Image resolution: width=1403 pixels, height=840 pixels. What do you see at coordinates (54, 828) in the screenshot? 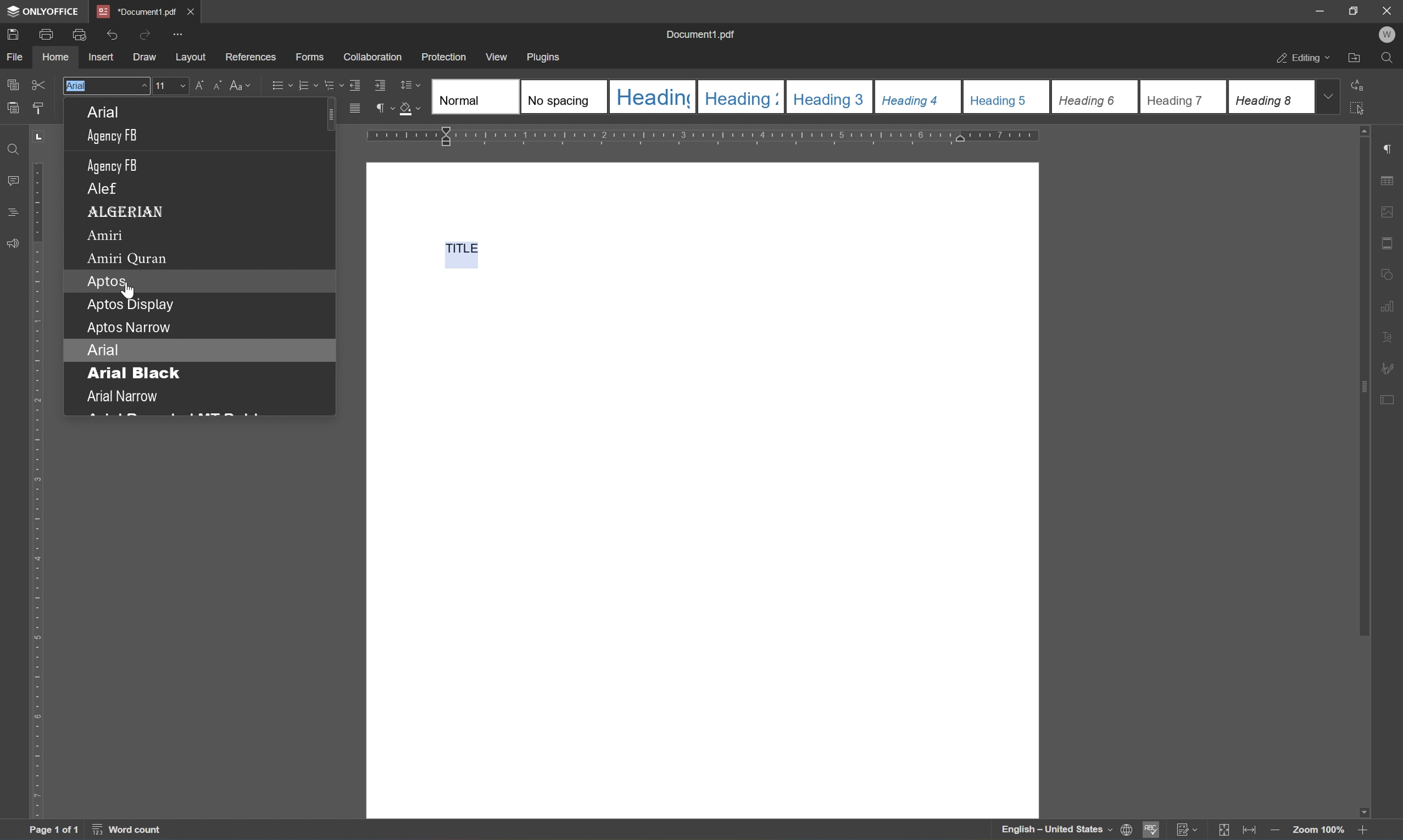
I see `page 1 of 1` at bounding box center [54, 828].